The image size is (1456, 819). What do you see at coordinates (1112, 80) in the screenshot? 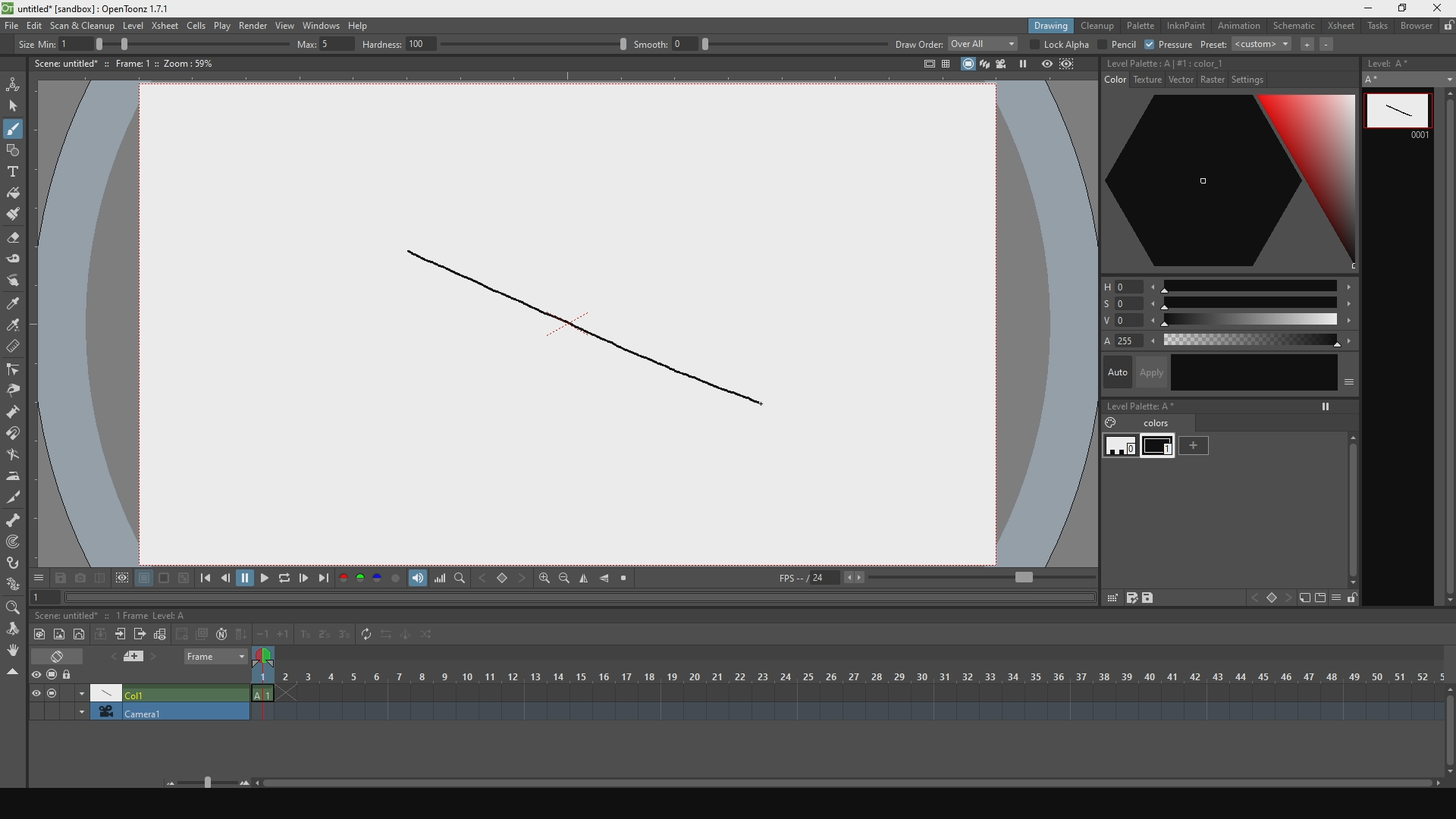
I see `color` at bounding box center [1112, 80].